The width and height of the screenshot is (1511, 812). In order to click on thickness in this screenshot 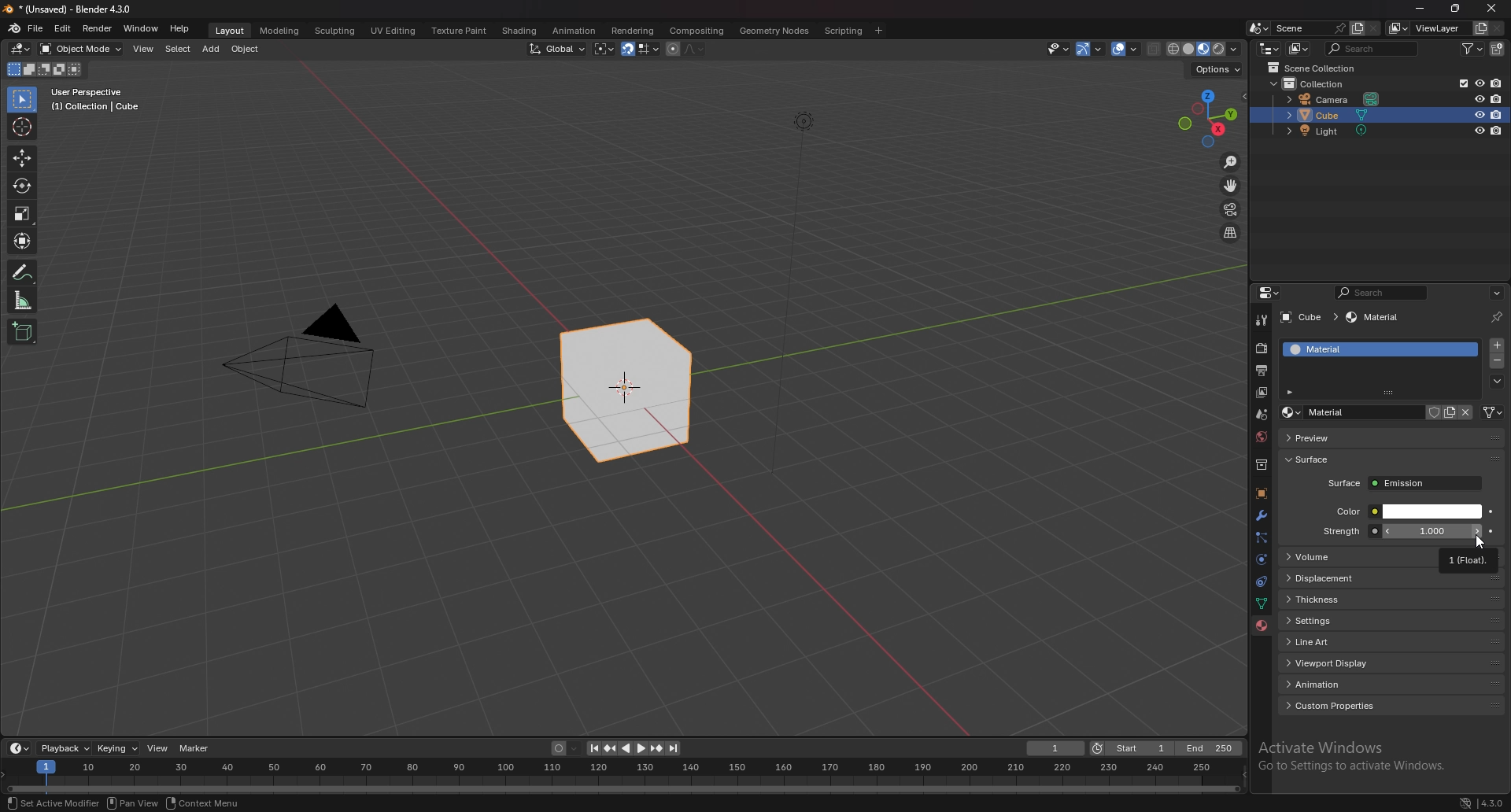, I will do `click(1392, 600)`.